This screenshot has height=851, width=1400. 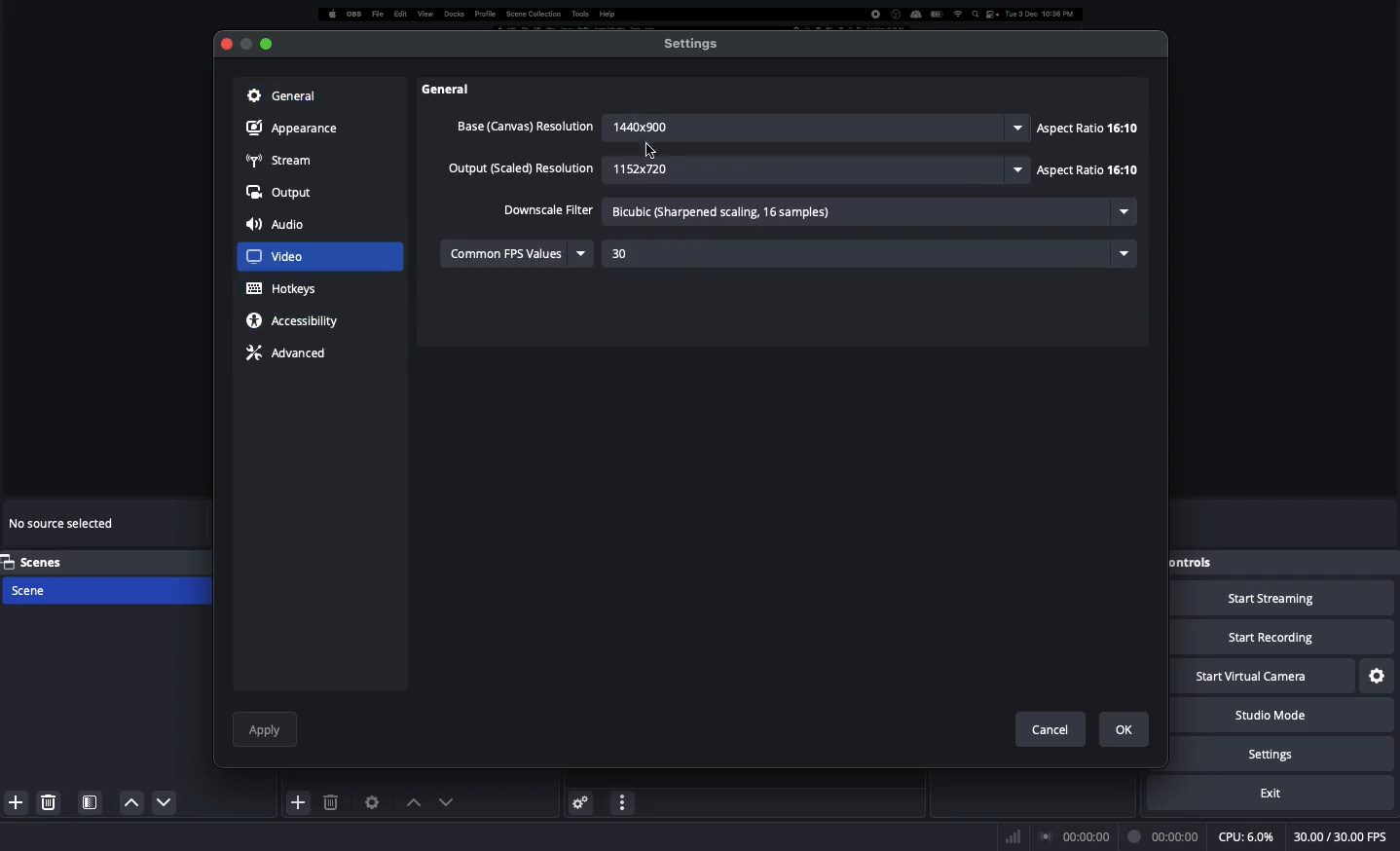 What do you see at coordinates (580, 801) in the screenshot?
I see `Advanced audio preferences` at bounding box center [580, 801].